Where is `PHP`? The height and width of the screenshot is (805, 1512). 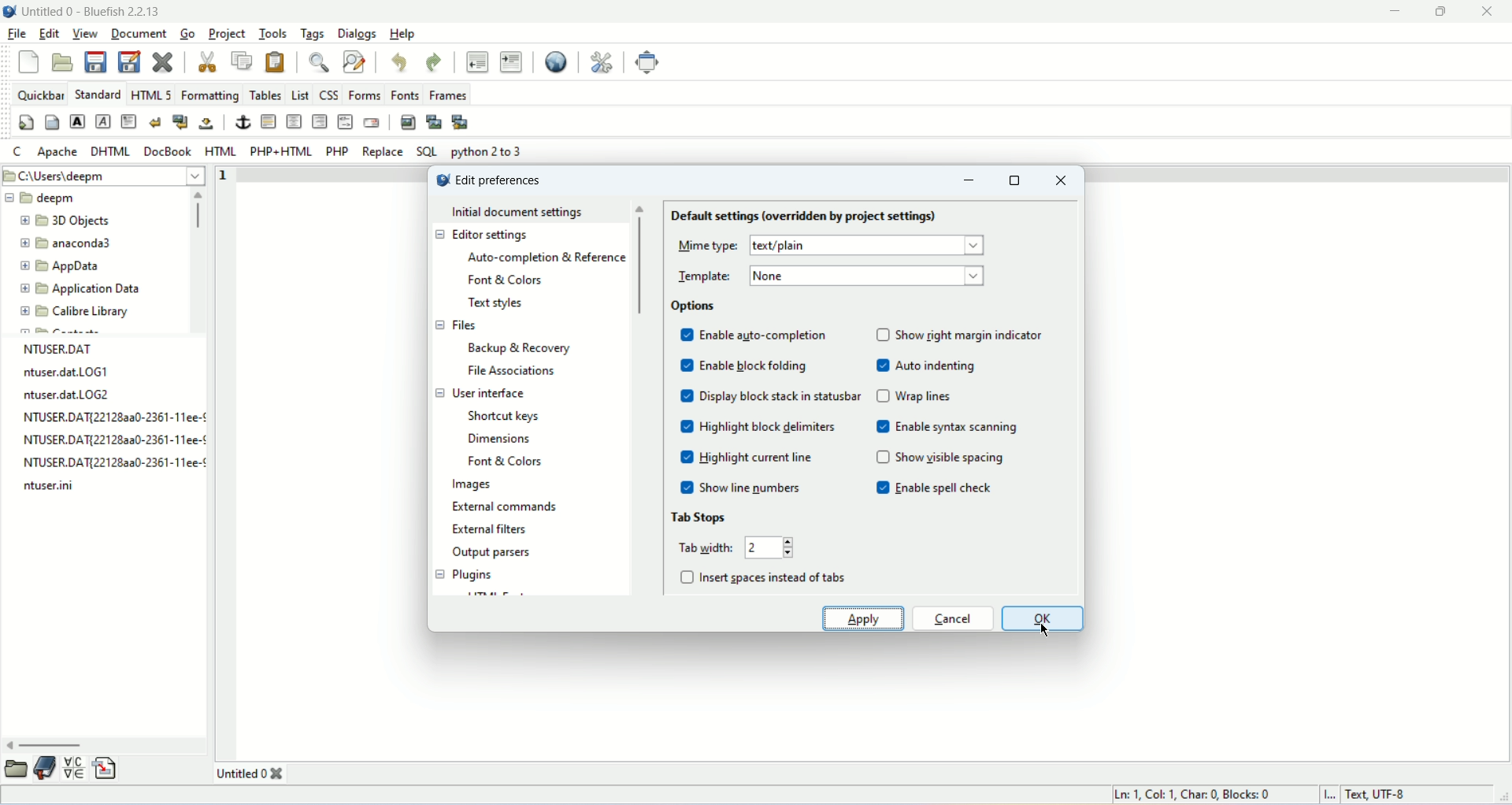
PHP is located at coordinates (337, 151).